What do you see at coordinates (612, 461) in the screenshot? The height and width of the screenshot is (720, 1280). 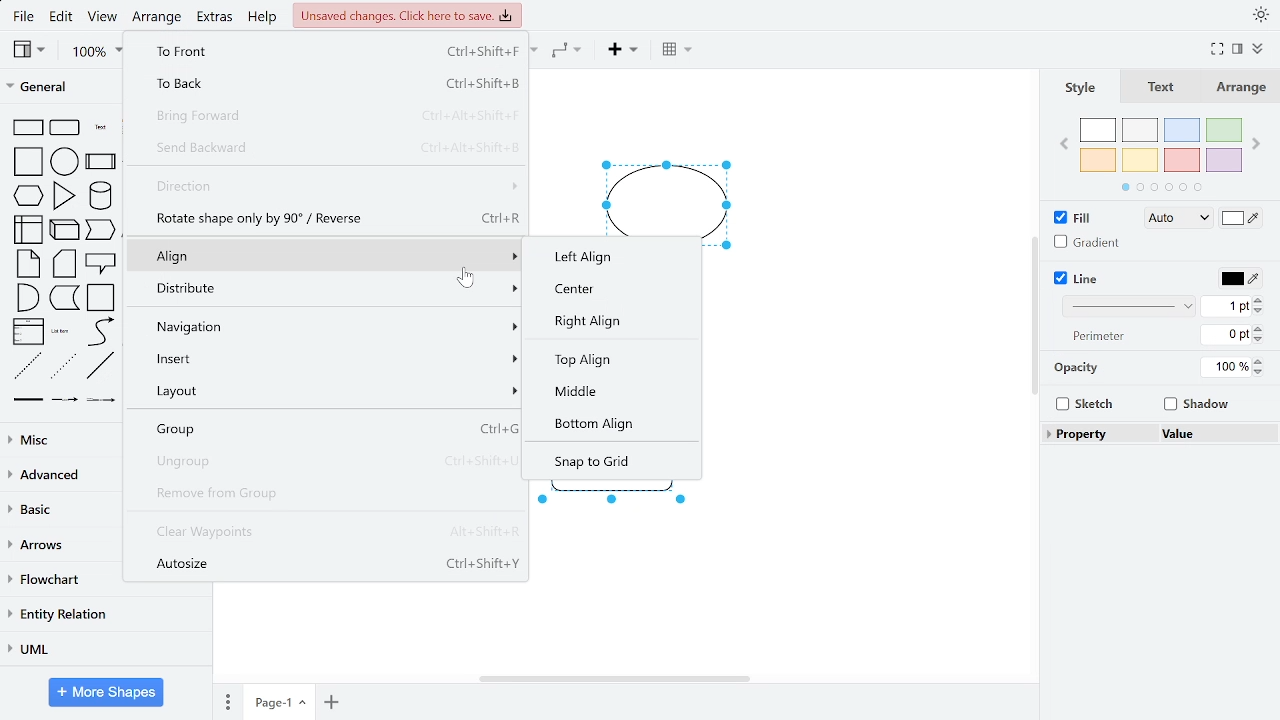 I see `snap to grid` at bounding box center [612, 461].